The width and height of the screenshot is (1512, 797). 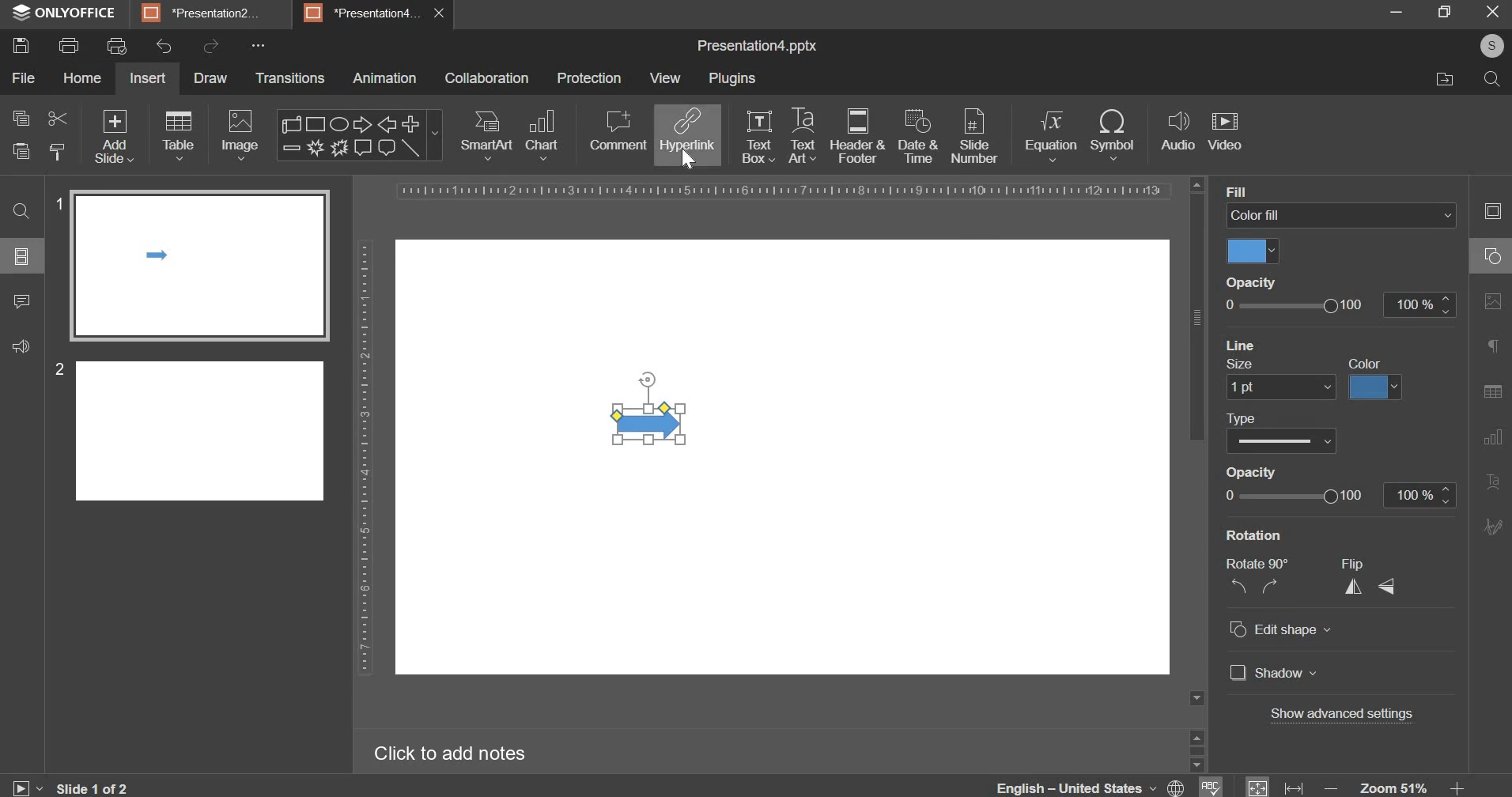 What do you see at coordinates (784, 190) in the screenshot?
I see `horizontal scale` at bounding box center [784, 190].